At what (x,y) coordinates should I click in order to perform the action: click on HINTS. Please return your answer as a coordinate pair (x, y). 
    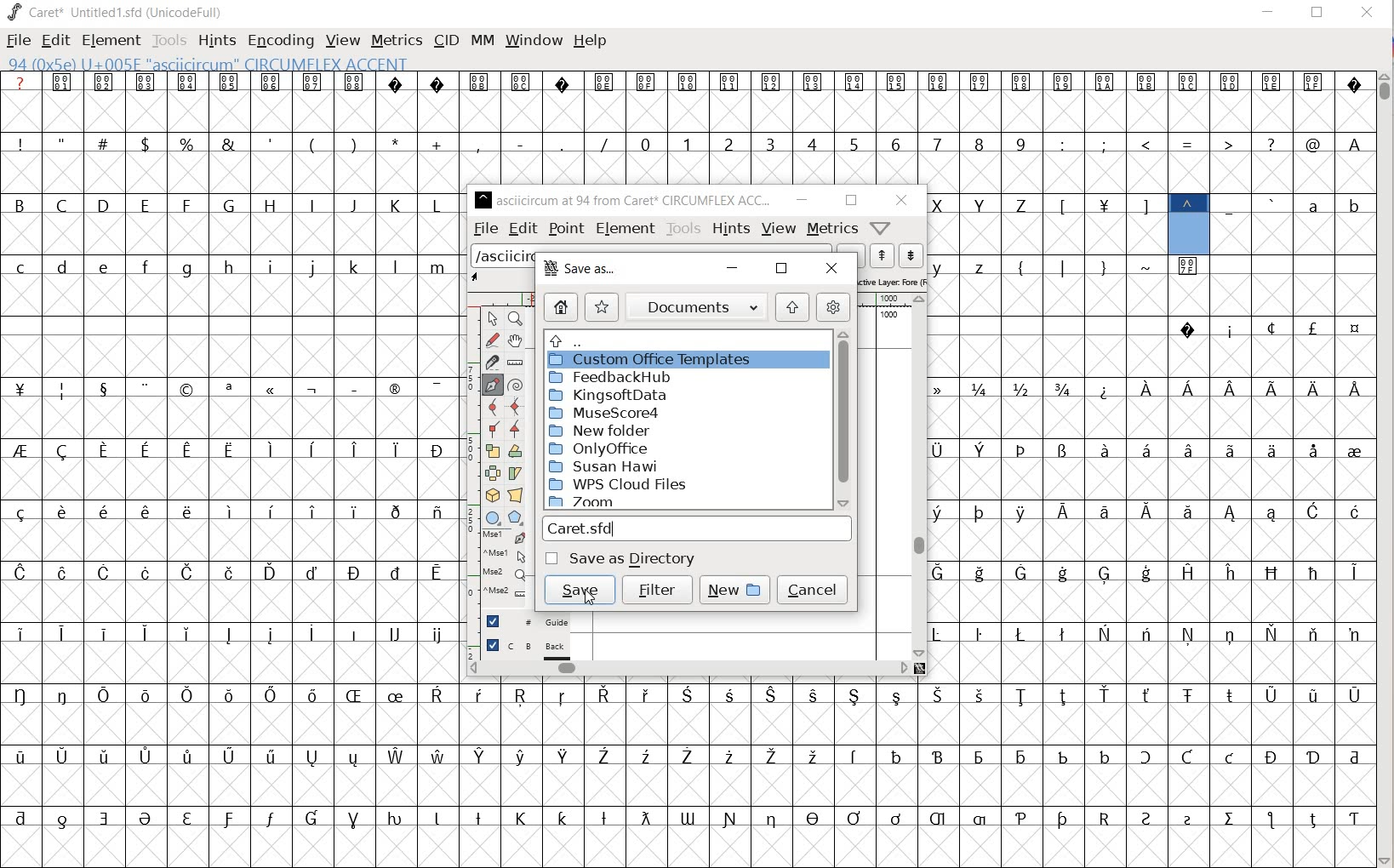
    Looking at the image, I should click on (217, 40).